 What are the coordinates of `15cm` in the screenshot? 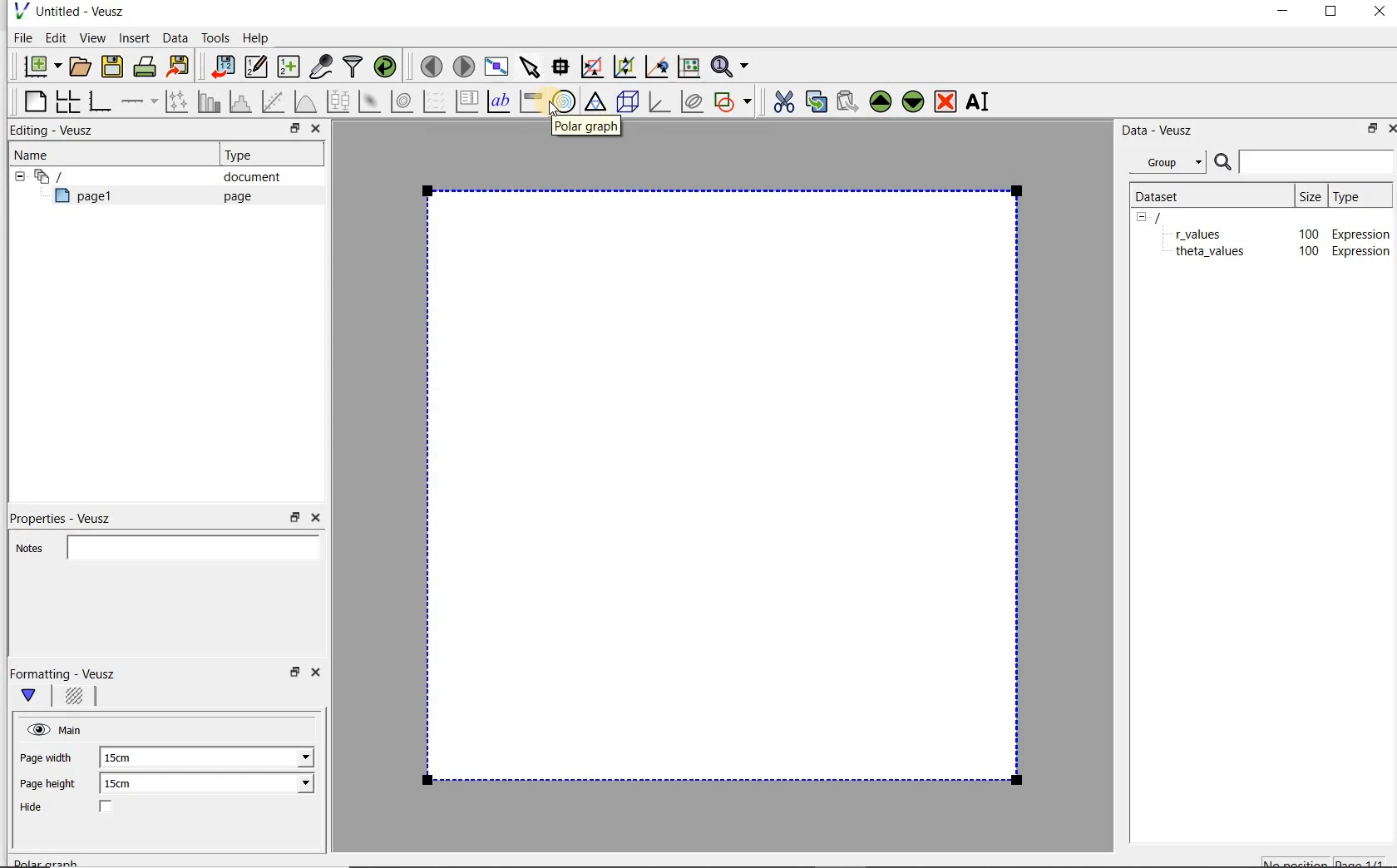 It's located at (126, 758).